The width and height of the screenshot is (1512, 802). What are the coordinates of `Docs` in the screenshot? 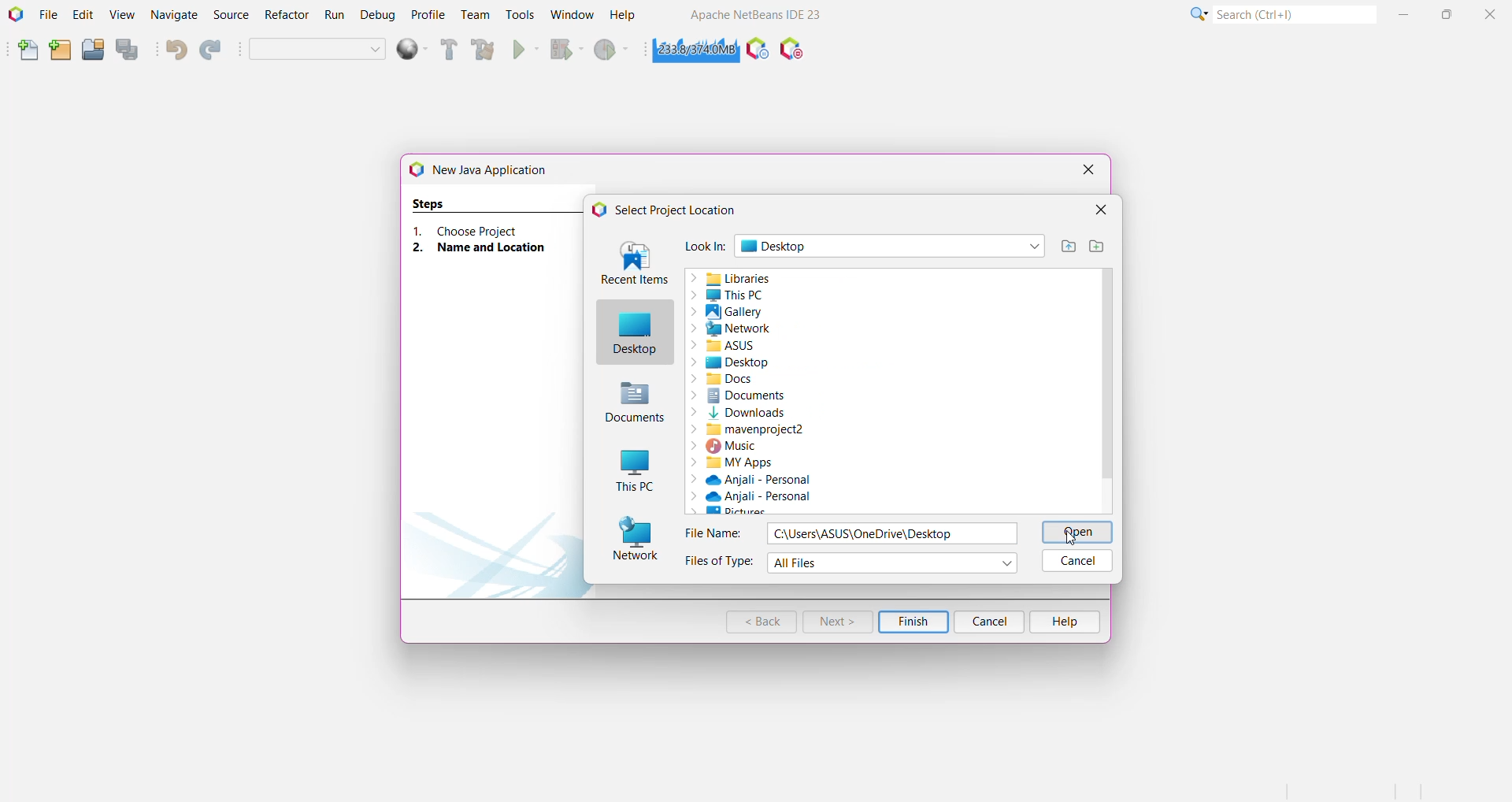 It's located at (787, 379).